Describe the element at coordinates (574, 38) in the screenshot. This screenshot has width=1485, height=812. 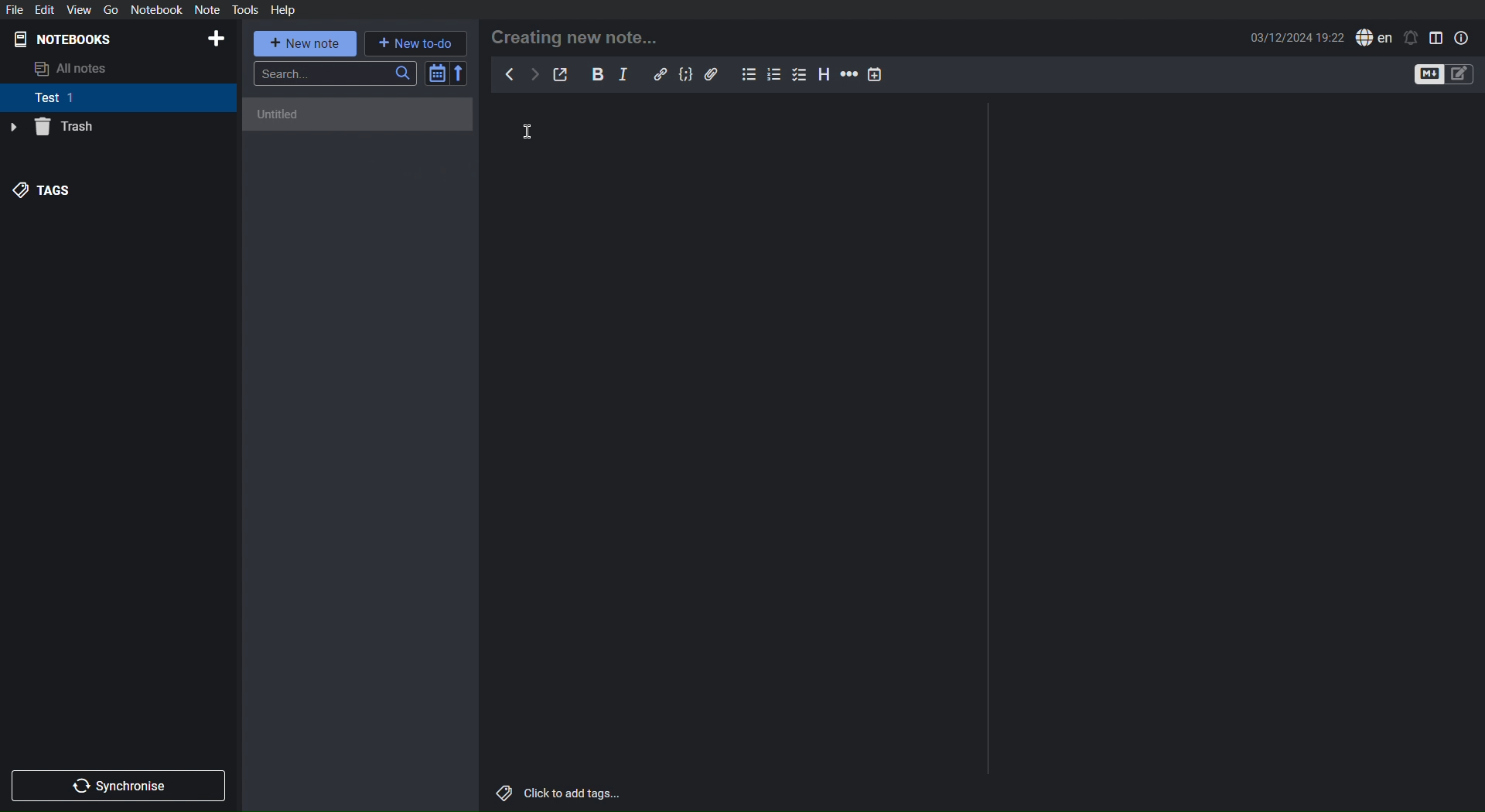
I see `Creating new note` at that location.